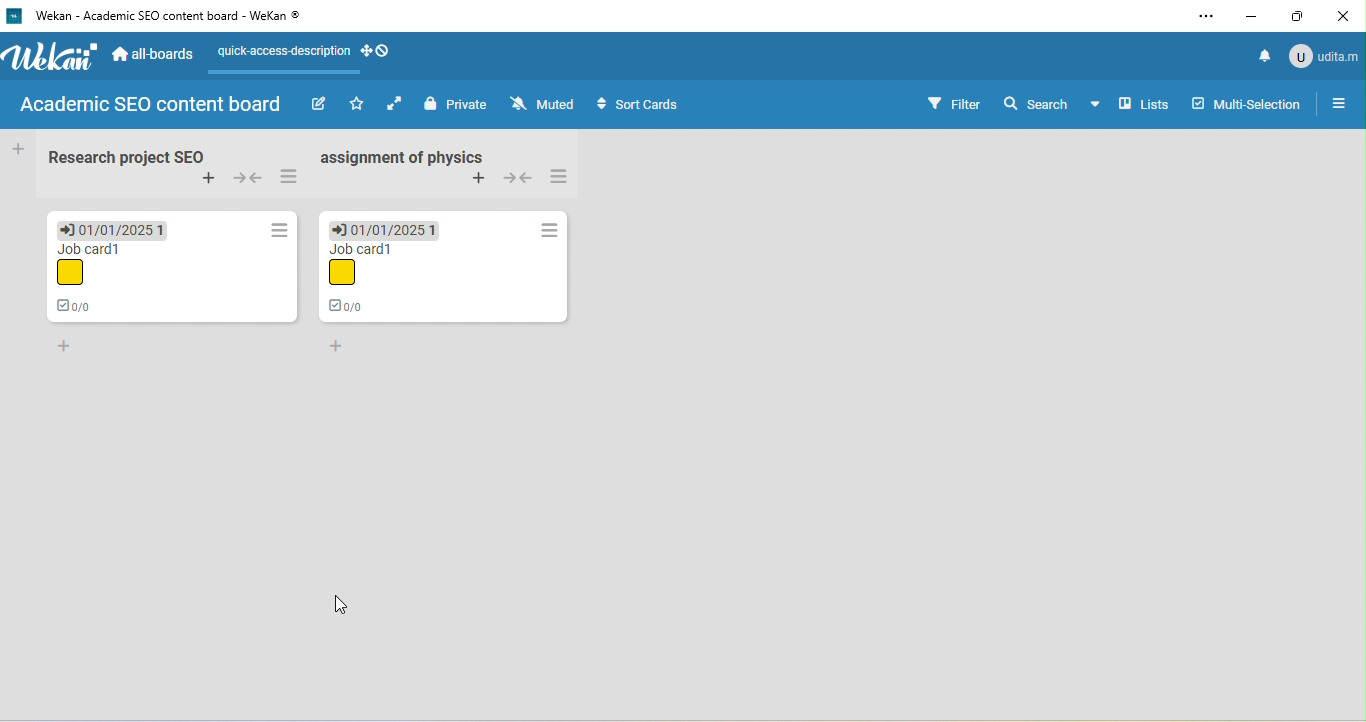 The width and height of the screenshot is (1366, 722). Describe the element at coordinates (350, 305) in the screenshot. I see `0/0` at that location.